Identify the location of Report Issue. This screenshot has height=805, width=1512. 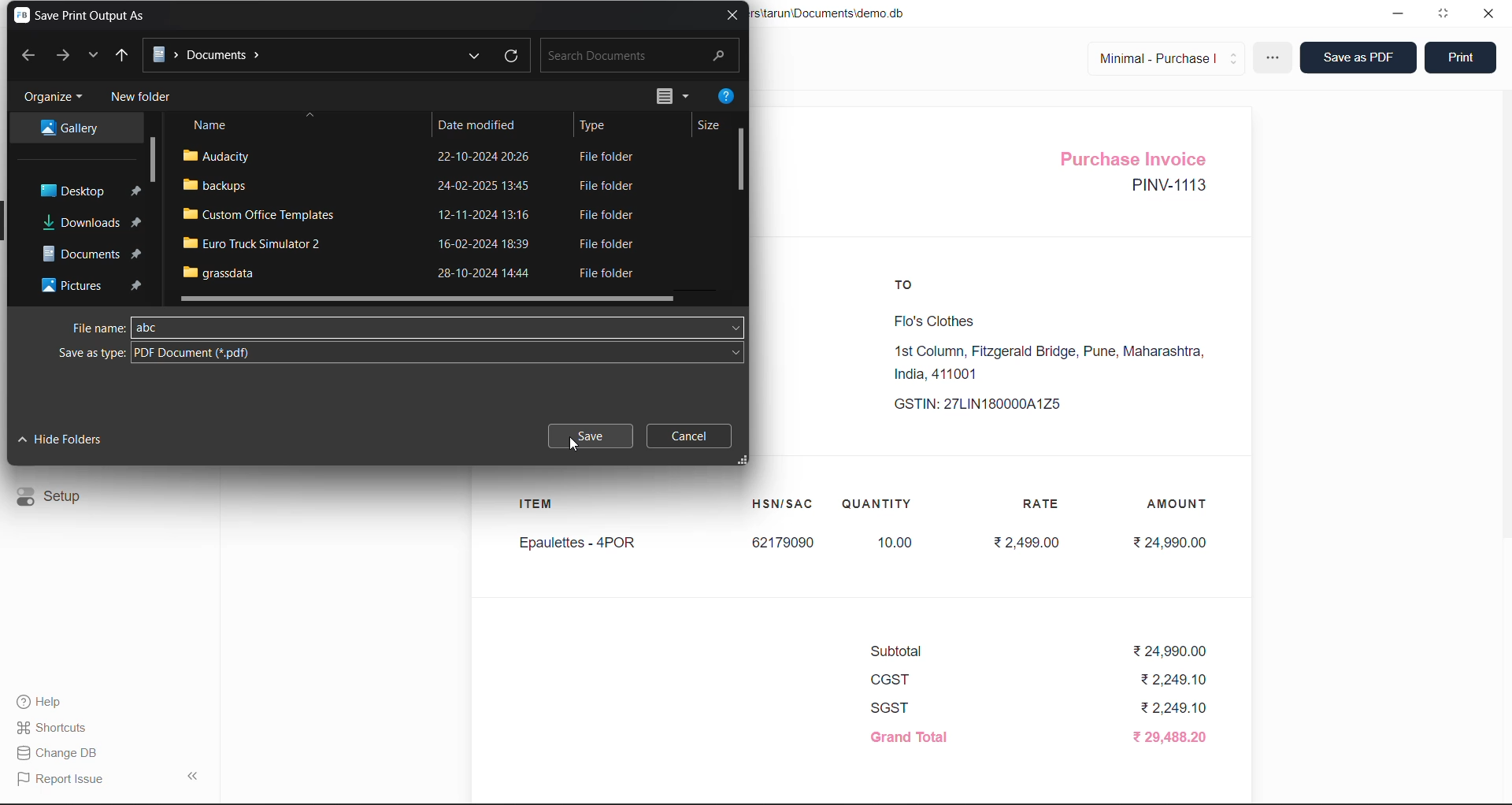
(65, 777).